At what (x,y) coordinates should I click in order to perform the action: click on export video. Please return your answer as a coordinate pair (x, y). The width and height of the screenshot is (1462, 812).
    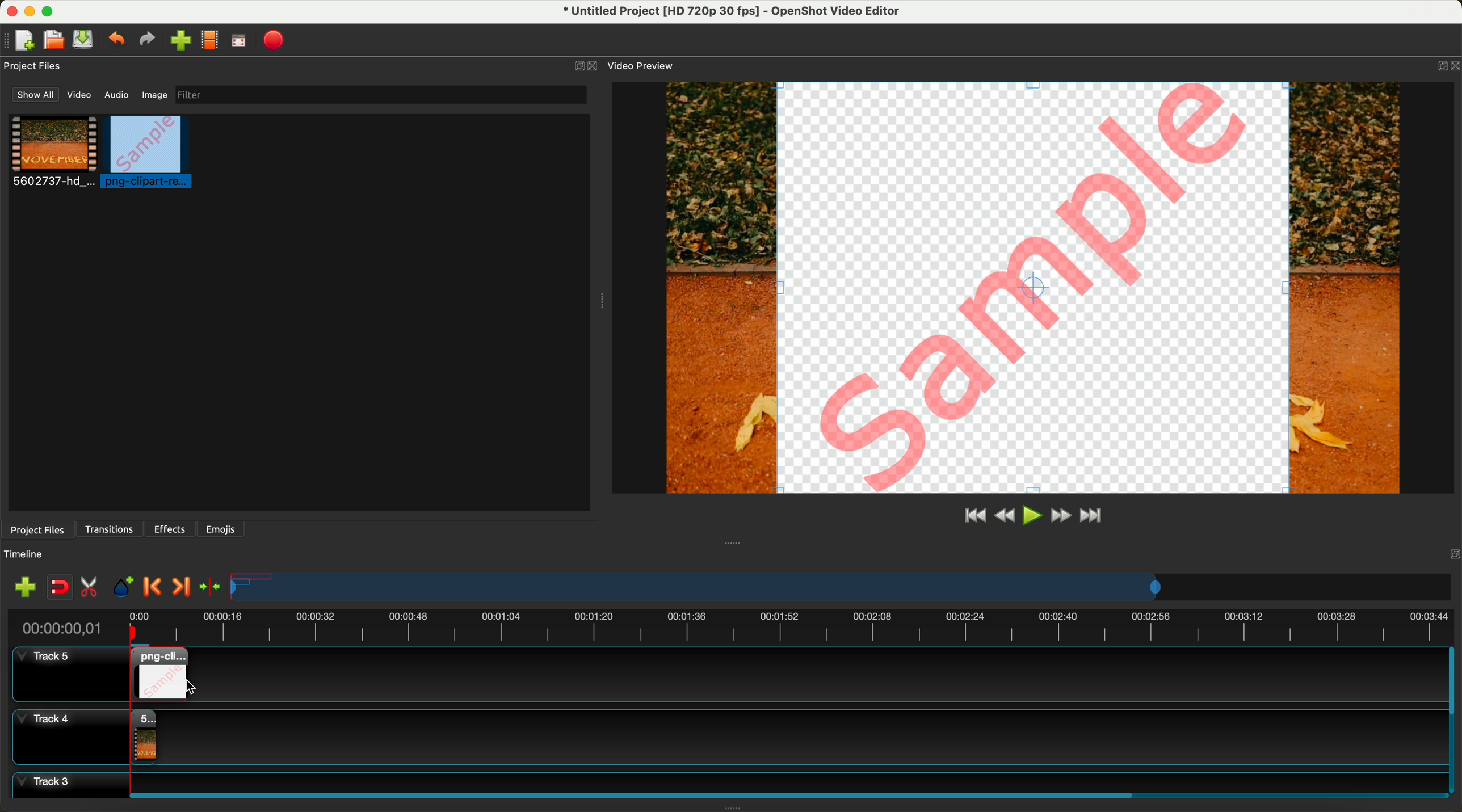
    Looking at the image, I should click on (278, 40).